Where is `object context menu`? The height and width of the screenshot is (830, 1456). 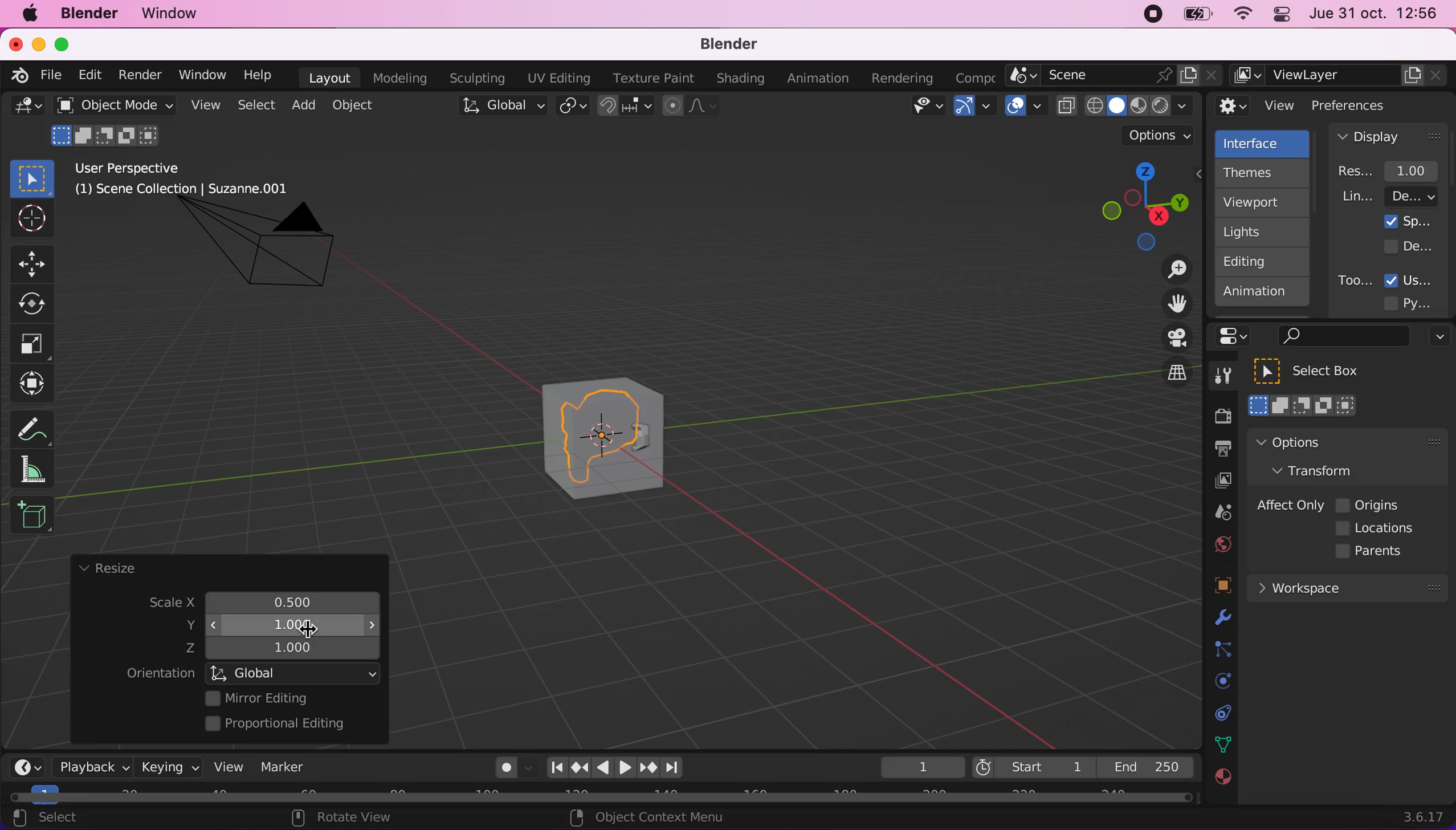
object context menu is located at coordinates (651, 817).